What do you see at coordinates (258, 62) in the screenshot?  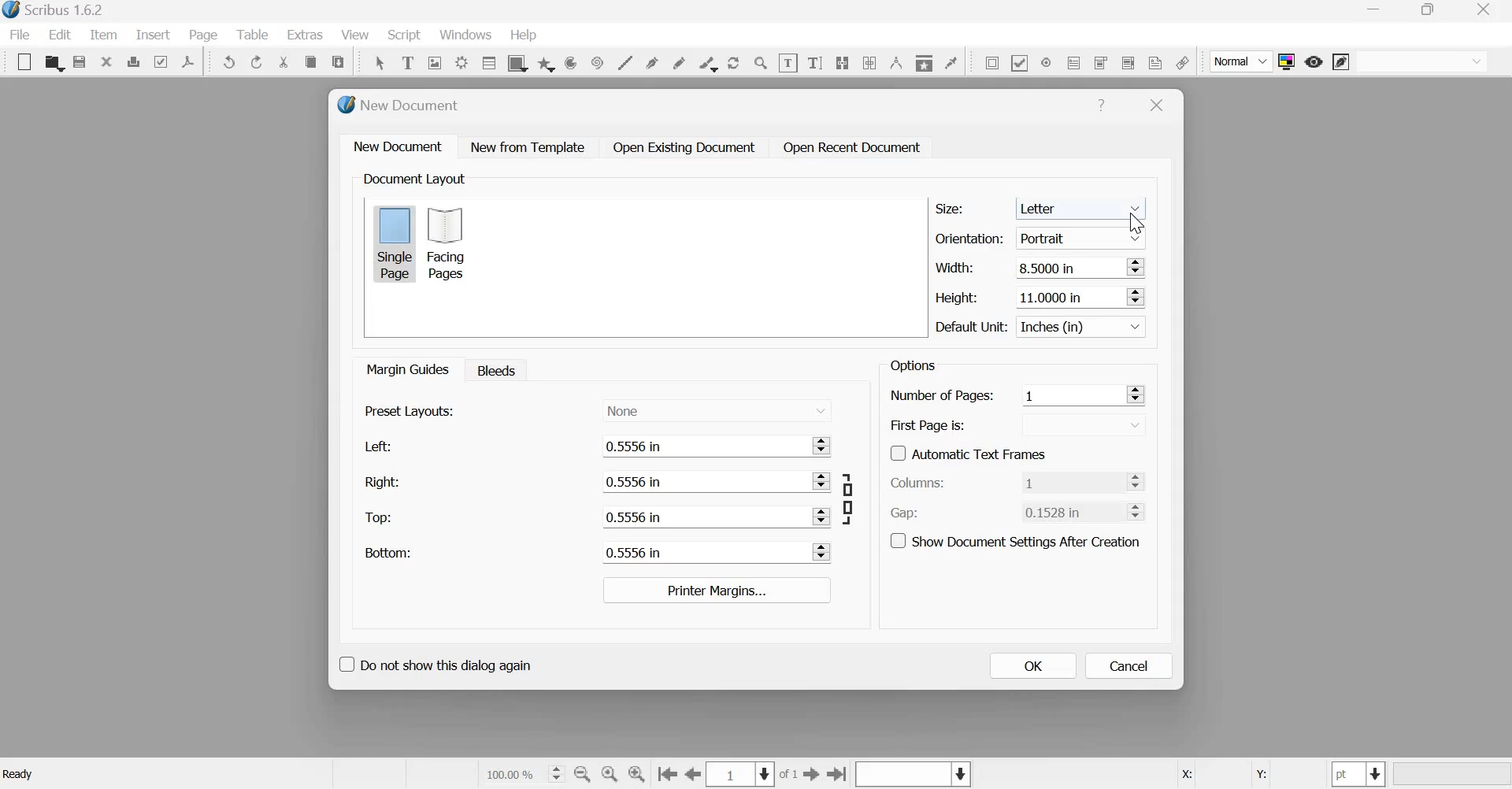 I see `Redo` at bounding box center [258, 62].